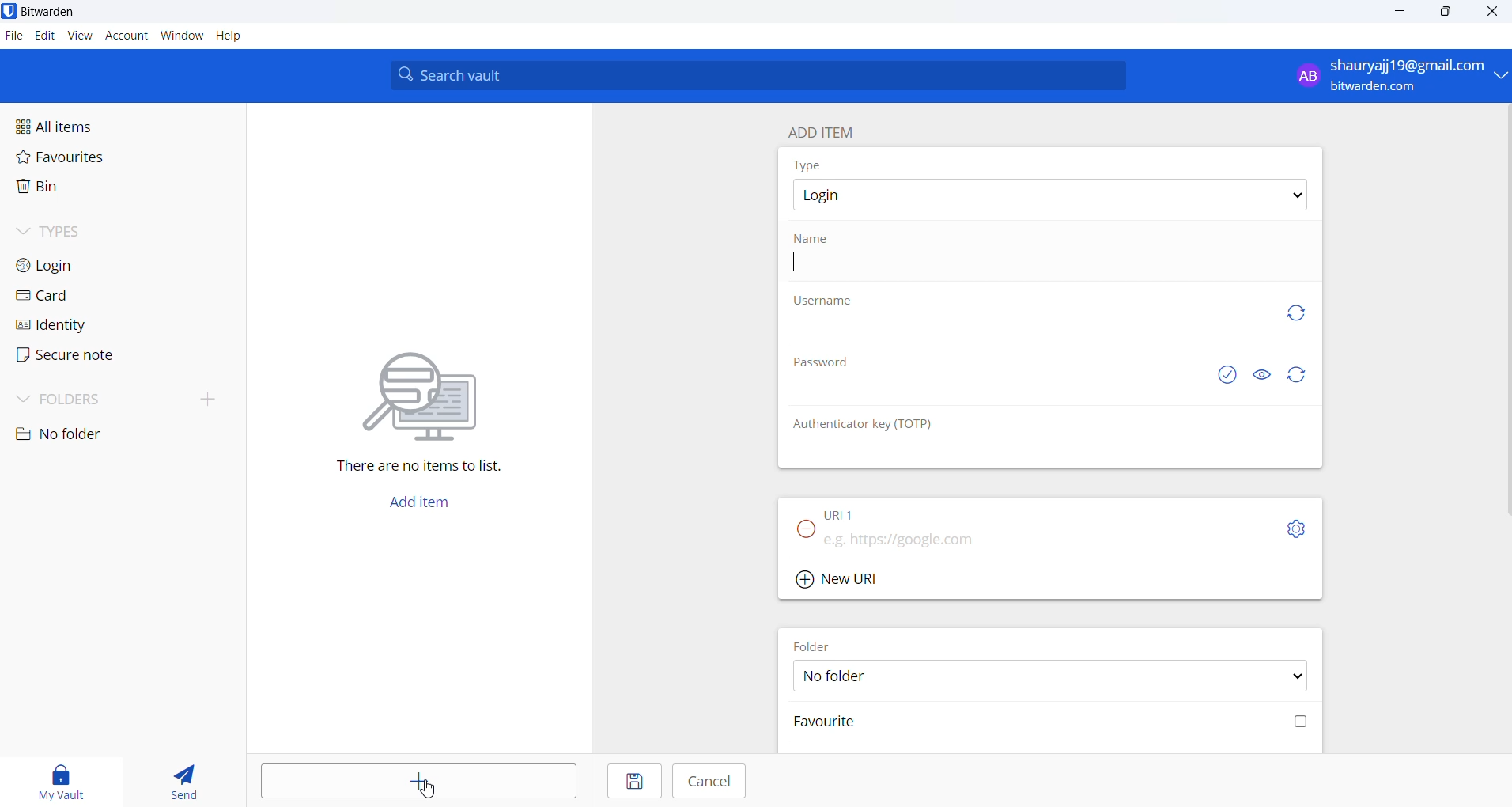 Image resolution: width=1512 pixels, height=807 pixels. What do you see at coordinates (1494, 14) in the screenshot?
I see `Close` at bounding box center [1494, 14].